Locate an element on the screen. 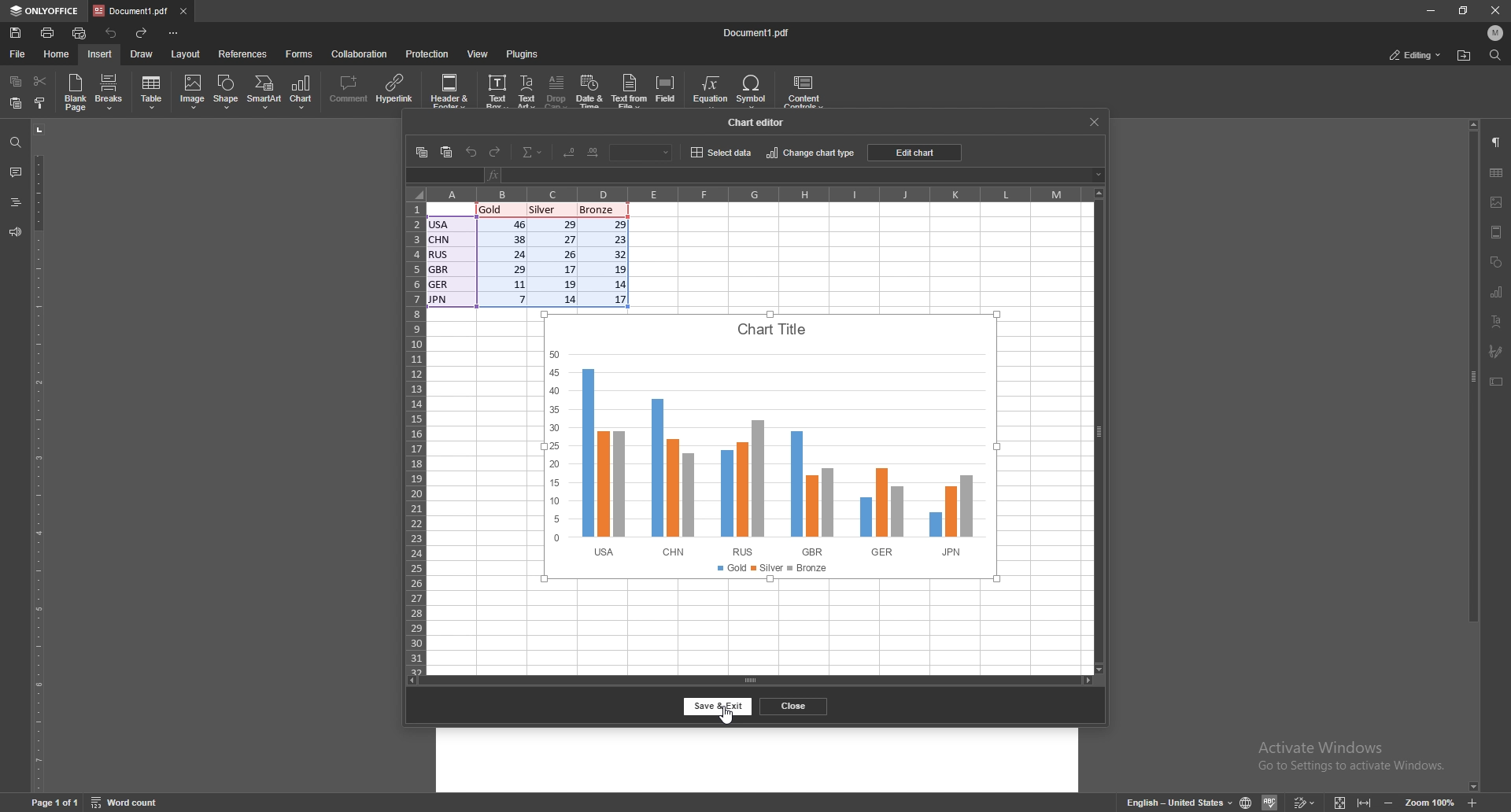  copy is located at coordinates (422, 152).